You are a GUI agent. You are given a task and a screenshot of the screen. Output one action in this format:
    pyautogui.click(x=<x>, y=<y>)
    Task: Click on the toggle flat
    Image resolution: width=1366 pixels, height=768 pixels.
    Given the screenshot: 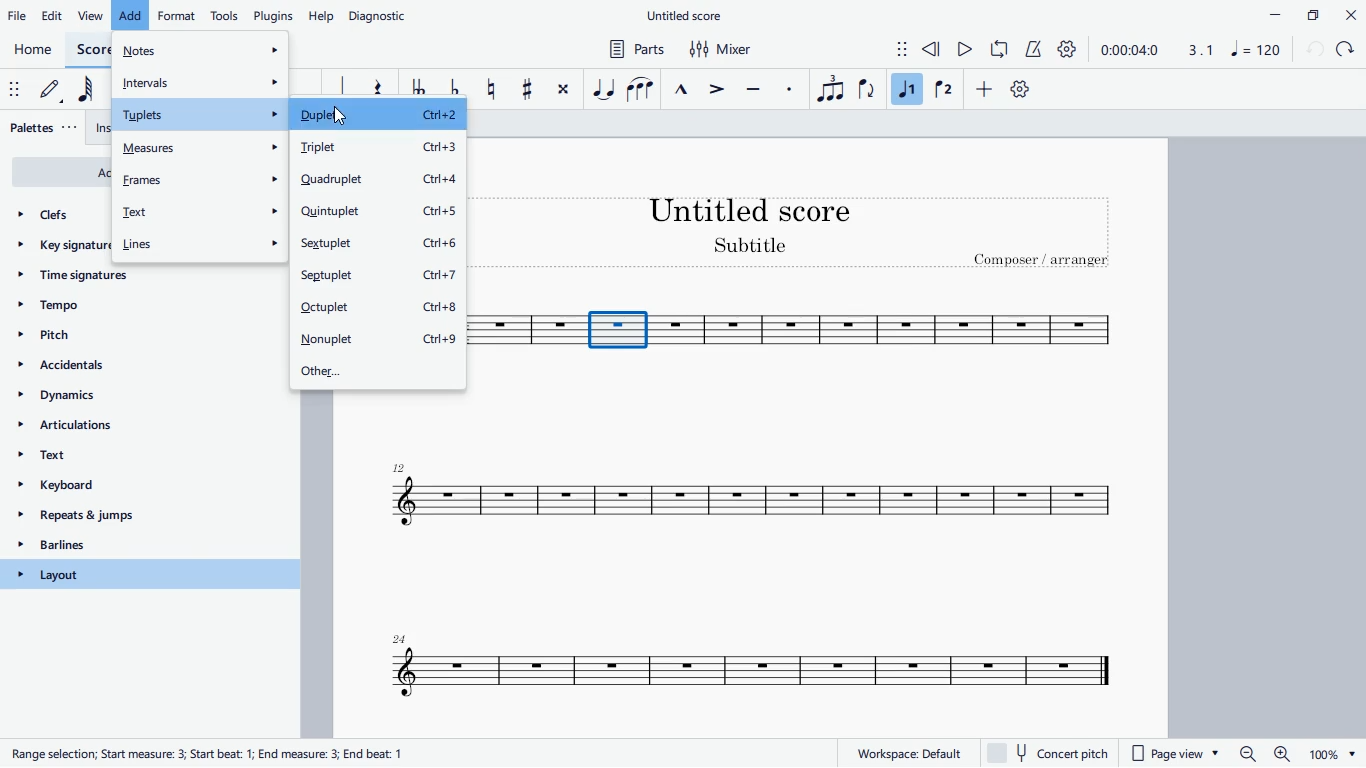 What is the action you would take?
    pyautogui.click(x=455, y=91)
    